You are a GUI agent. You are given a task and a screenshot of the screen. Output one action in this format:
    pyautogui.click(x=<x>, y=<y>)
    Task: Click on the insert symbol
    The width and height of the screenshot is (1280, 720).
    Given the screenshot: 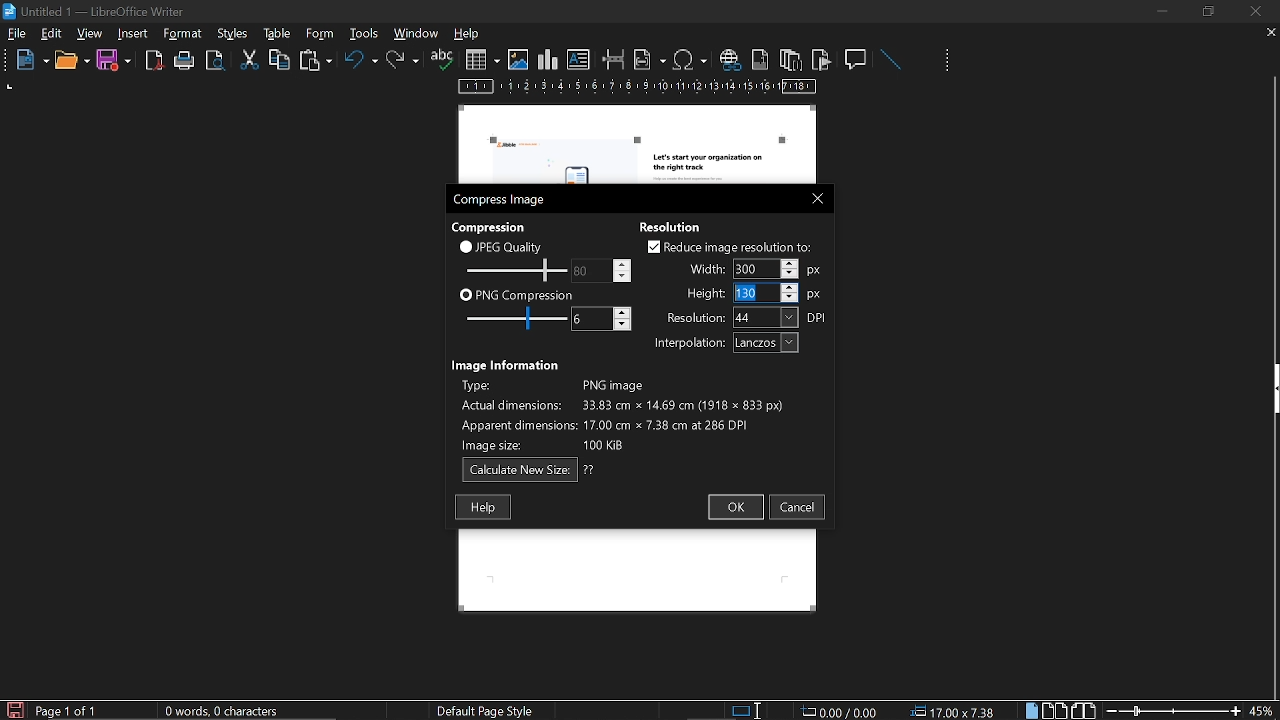 What is the action you would take?
    pyautogui.click(x=690, y=59)
    